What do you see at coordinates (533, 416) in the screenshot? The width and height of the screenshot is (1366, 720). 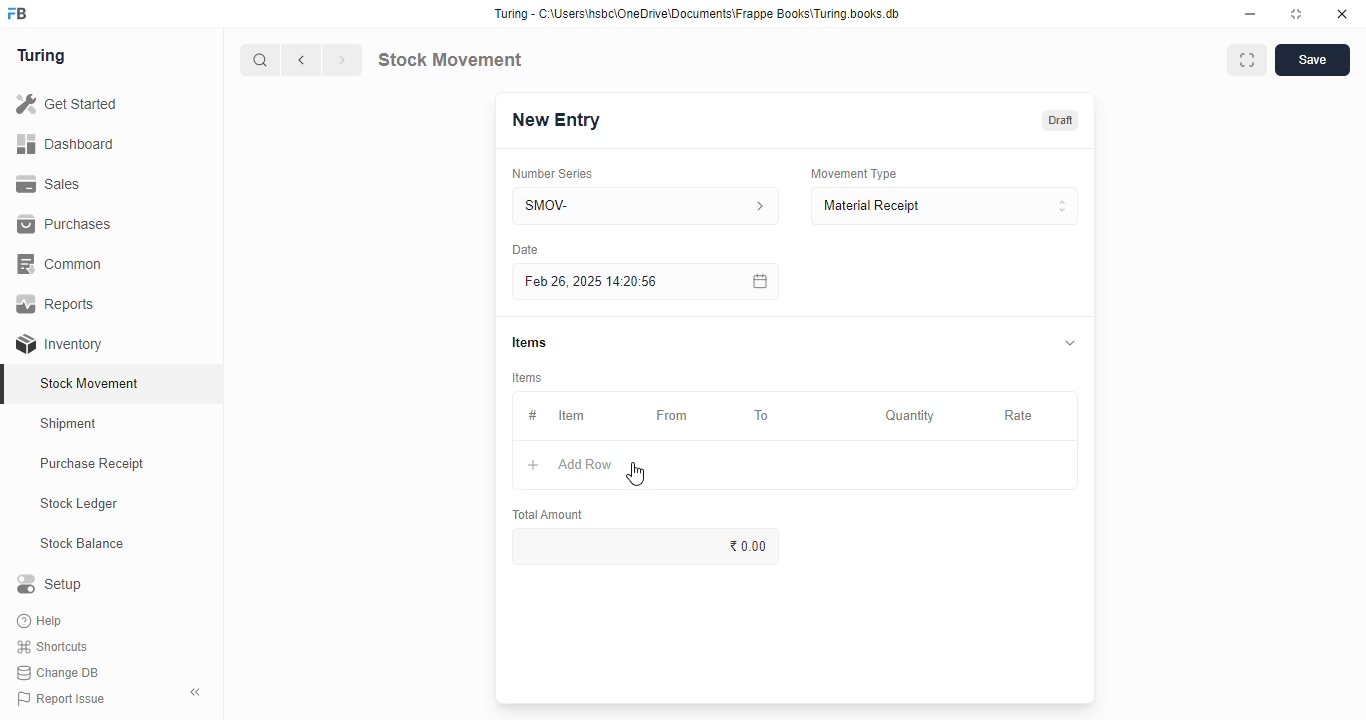 I see `#` at bounding box center [533, 416].